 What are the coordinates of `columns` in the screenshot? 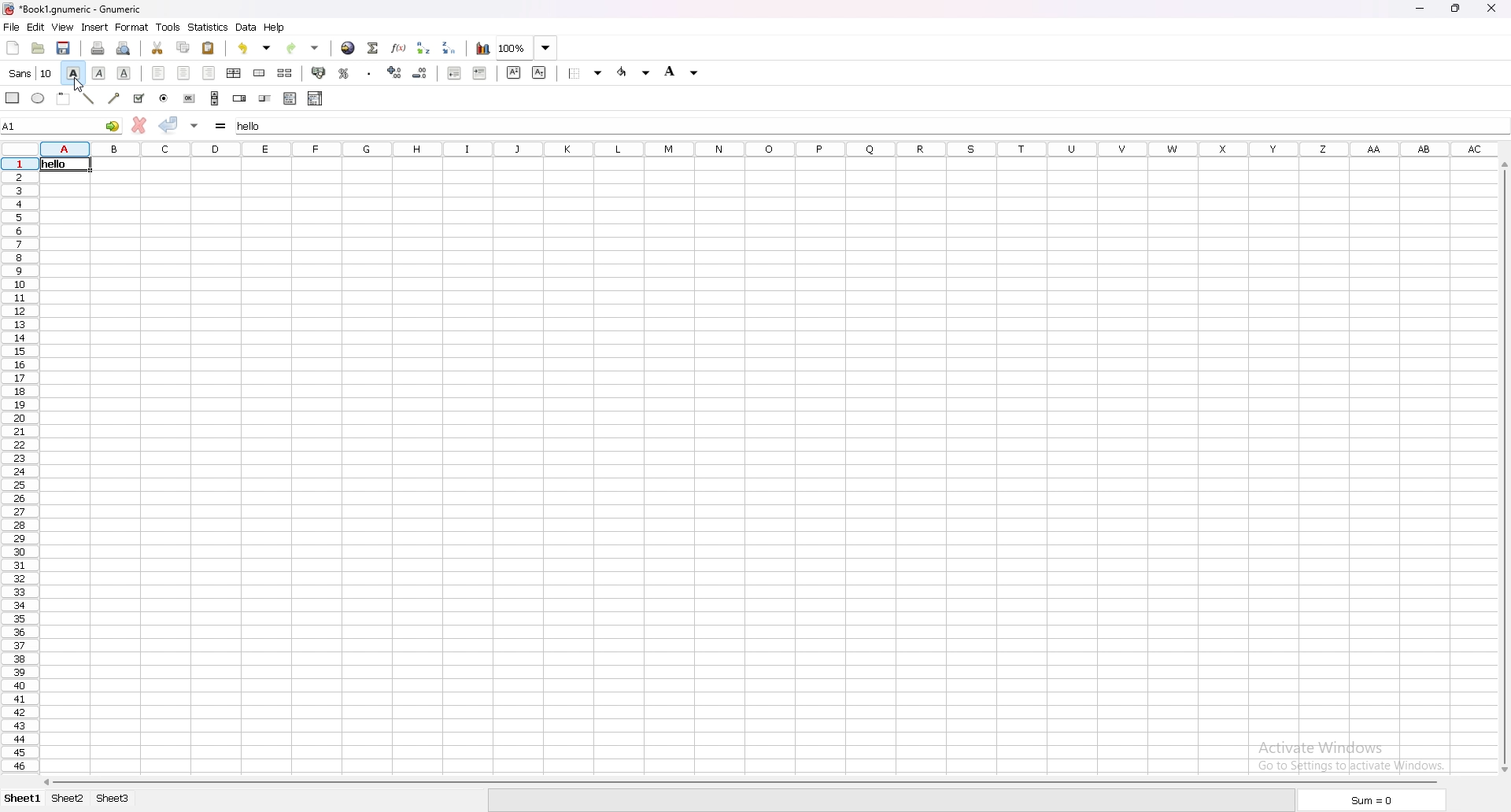 It's located at (771, 147).